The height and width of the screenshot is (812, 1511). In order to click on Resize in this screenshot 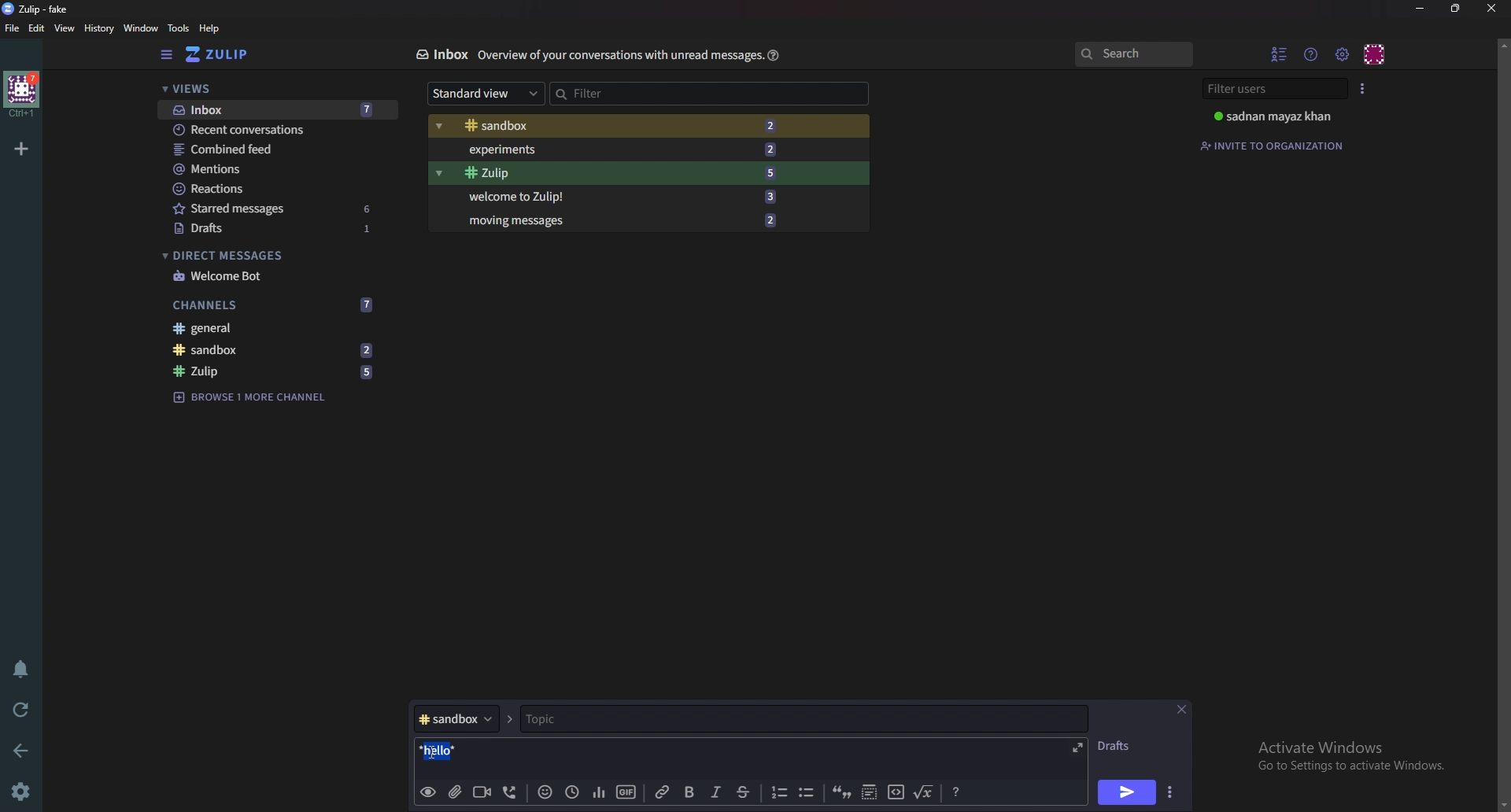, I will do `click(1457, 8)`.